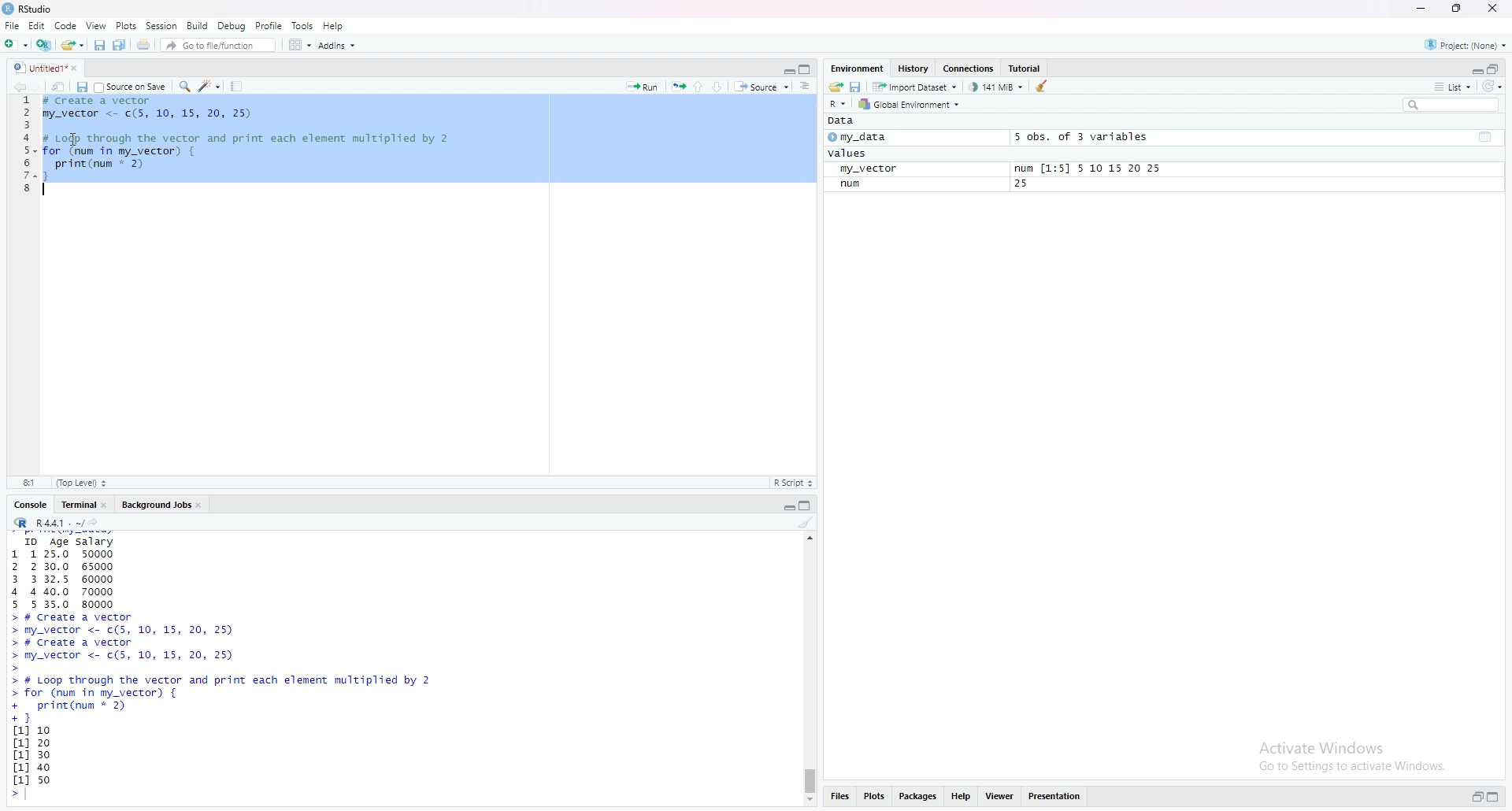  What do you see at coordinates (861, 137) in the screenshot?
I see `my_data` at bounding box center [861, 137].